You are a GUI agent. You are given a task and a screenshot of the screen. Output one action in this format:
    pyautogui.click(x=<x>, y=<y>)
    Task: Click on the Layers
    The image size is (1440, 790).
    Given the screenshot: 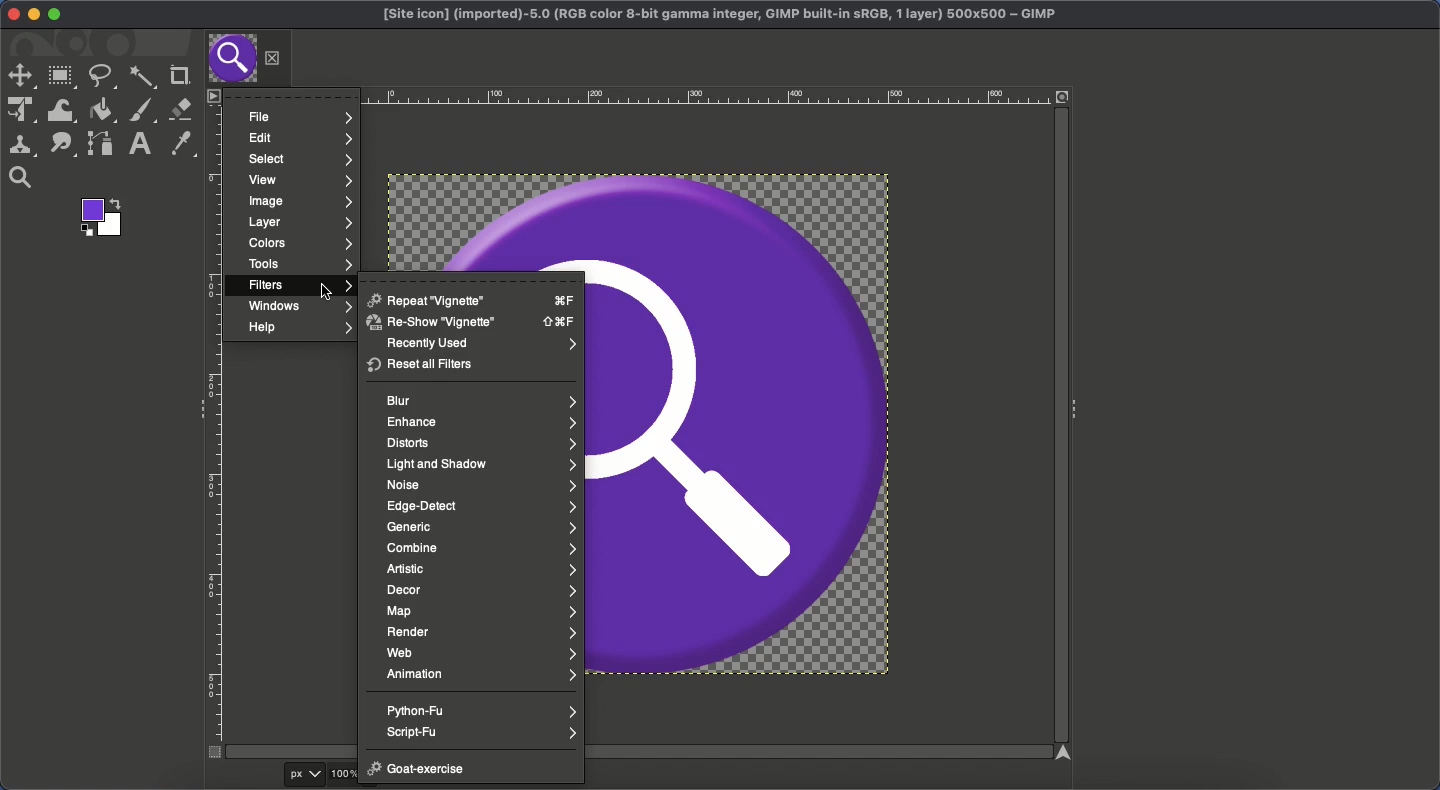 What is the action you would take?
    pyautogui.click(x=300, y=223)
    